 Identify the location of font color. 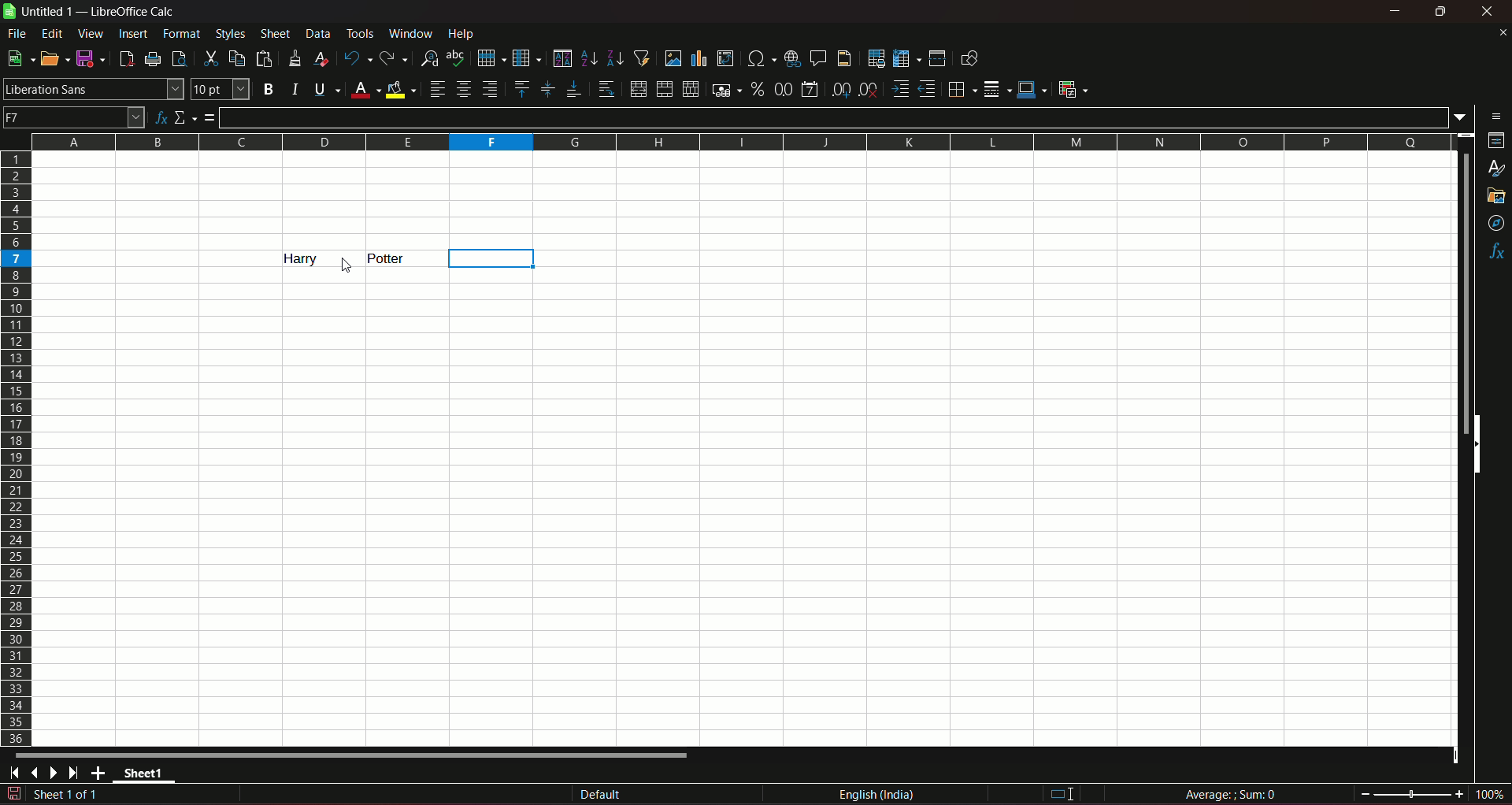
(365, 91).